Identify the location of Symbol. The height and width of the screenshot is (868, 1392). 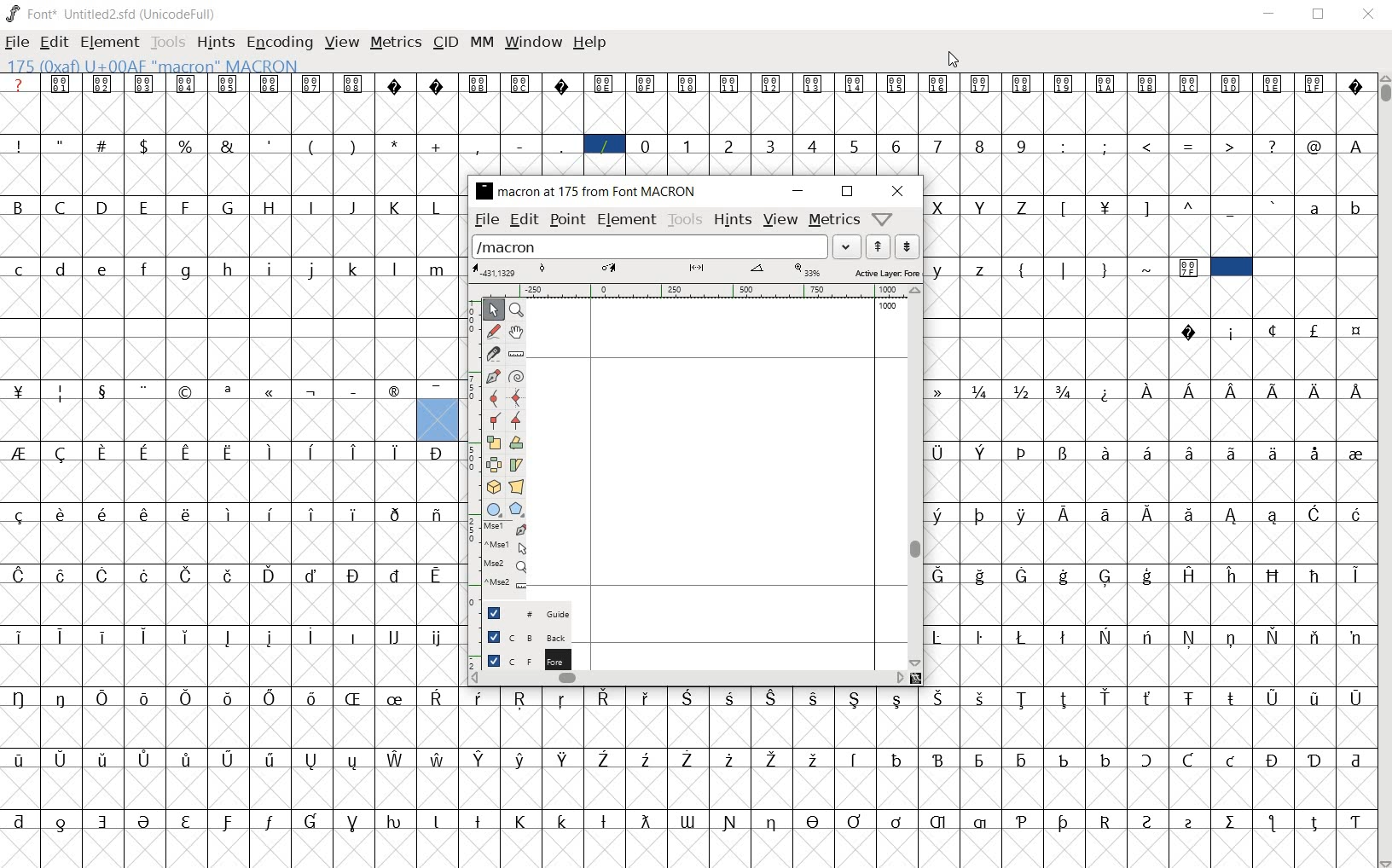
(393, 389).